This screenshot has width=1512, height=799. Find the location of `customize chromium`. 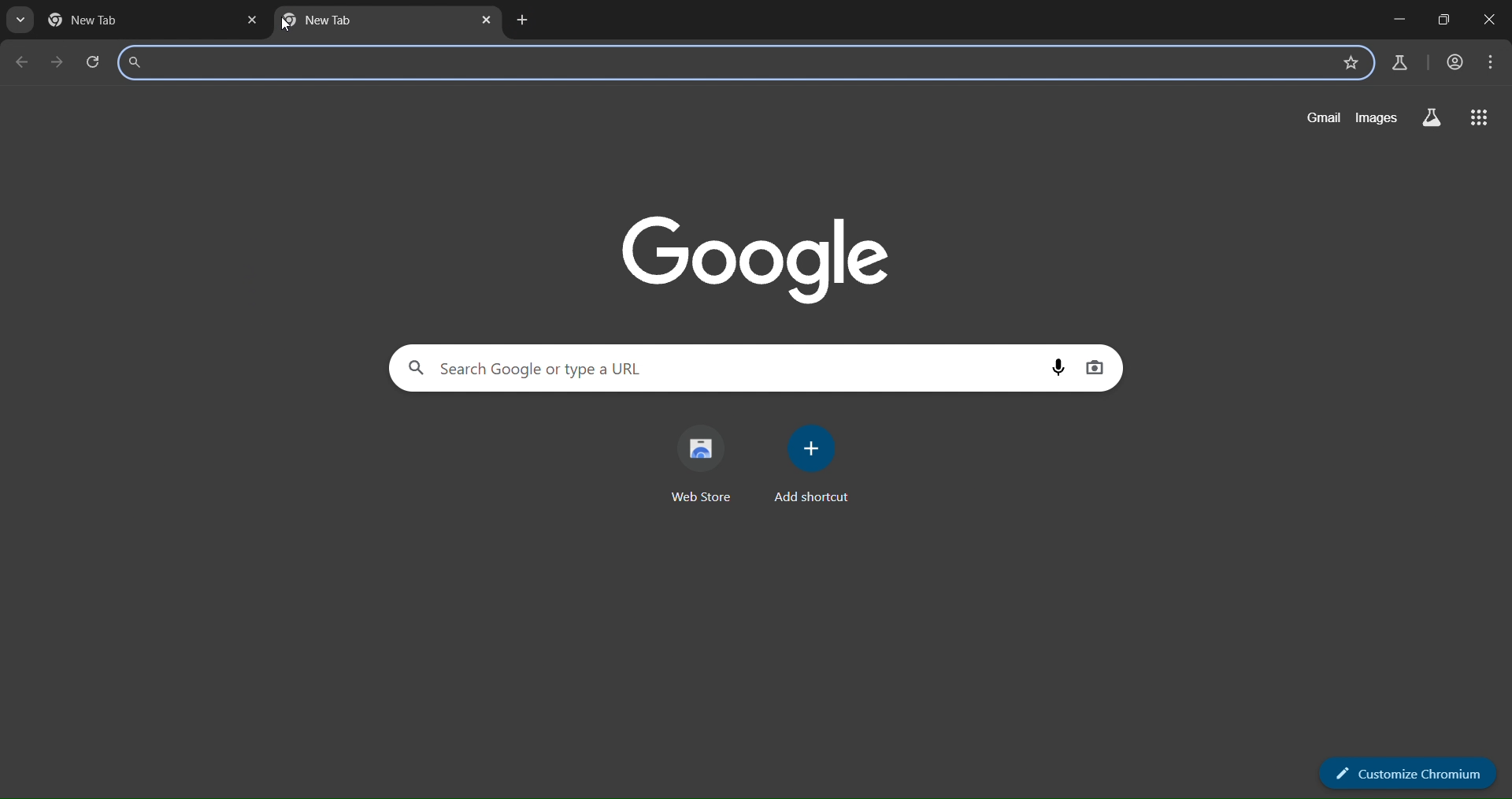

customize chromium is located at coordinates (1410, 773).